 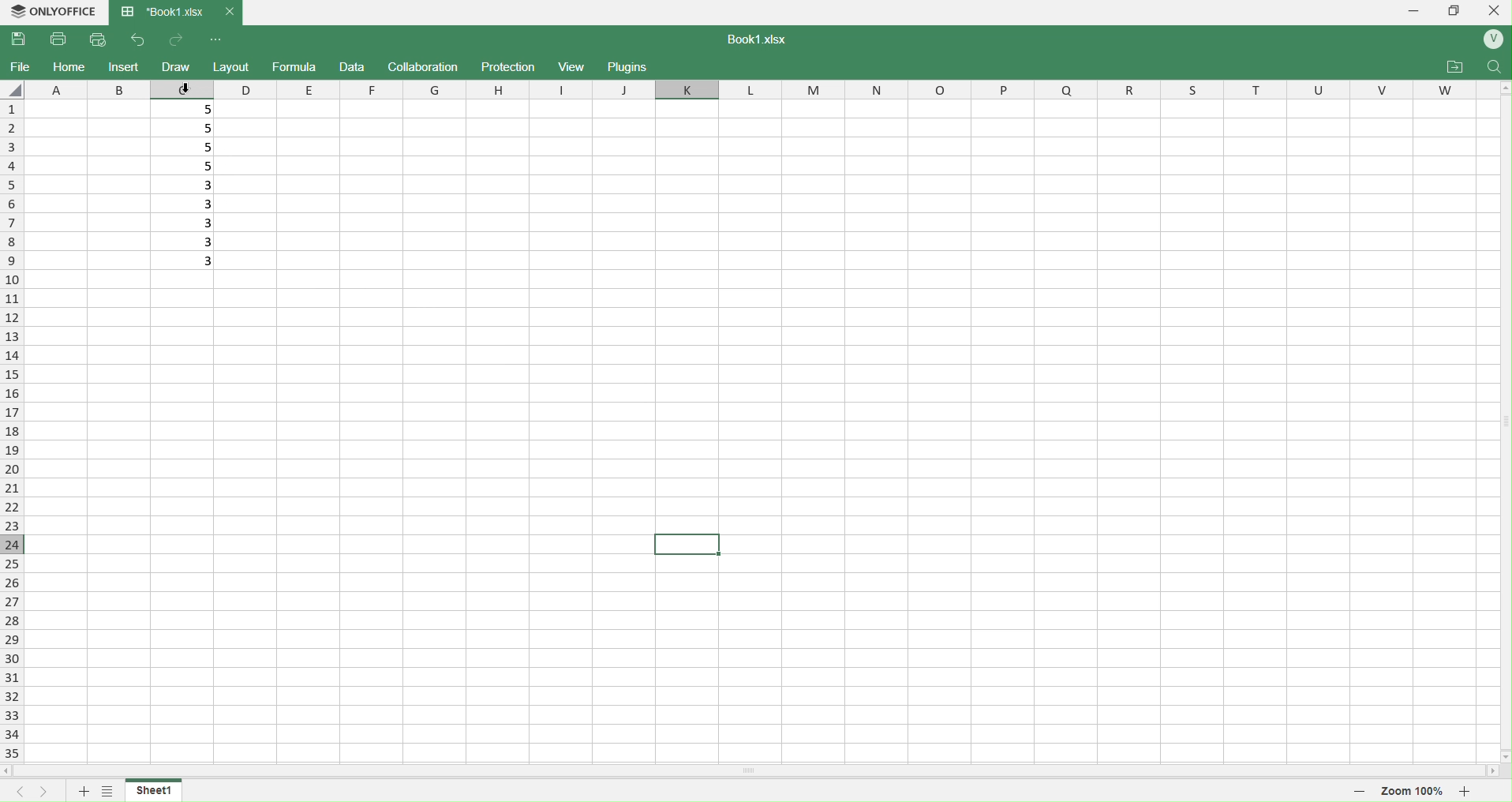 I want to click on scroll right, so click(x=1497, y=771).